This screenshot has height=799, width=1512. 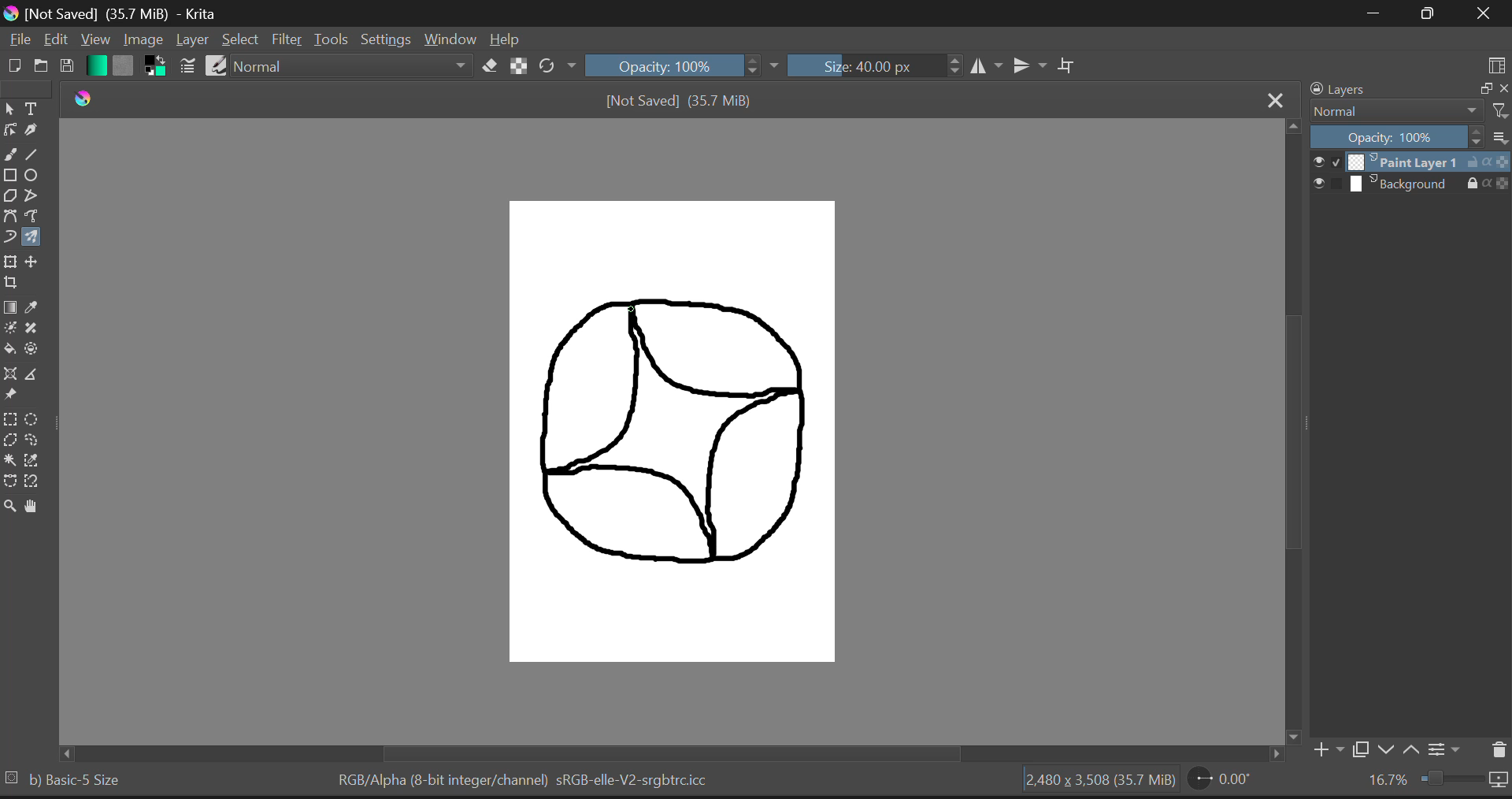 What do you see at coordinates (76, 781) in the screenshot?
I see `b) Basic-5 Size` at bounding box center [76, 781].